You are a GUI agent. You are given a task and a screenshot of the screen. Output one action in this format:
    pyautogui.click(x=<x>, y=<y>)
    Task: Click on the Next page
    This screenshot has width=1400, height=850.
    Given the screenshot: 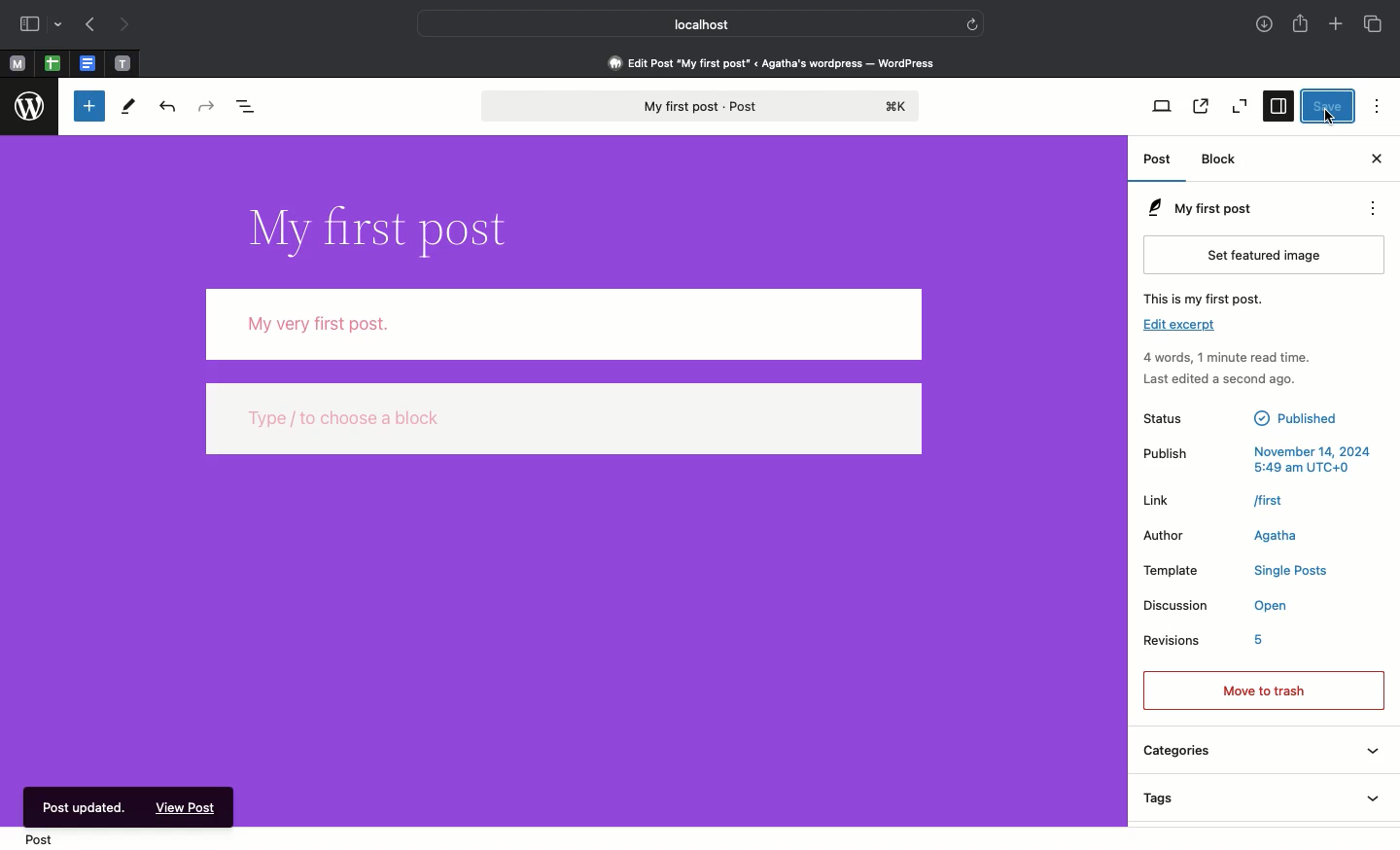 What is the action you would take?
    pyautogui.click(x=129, y=23)
    